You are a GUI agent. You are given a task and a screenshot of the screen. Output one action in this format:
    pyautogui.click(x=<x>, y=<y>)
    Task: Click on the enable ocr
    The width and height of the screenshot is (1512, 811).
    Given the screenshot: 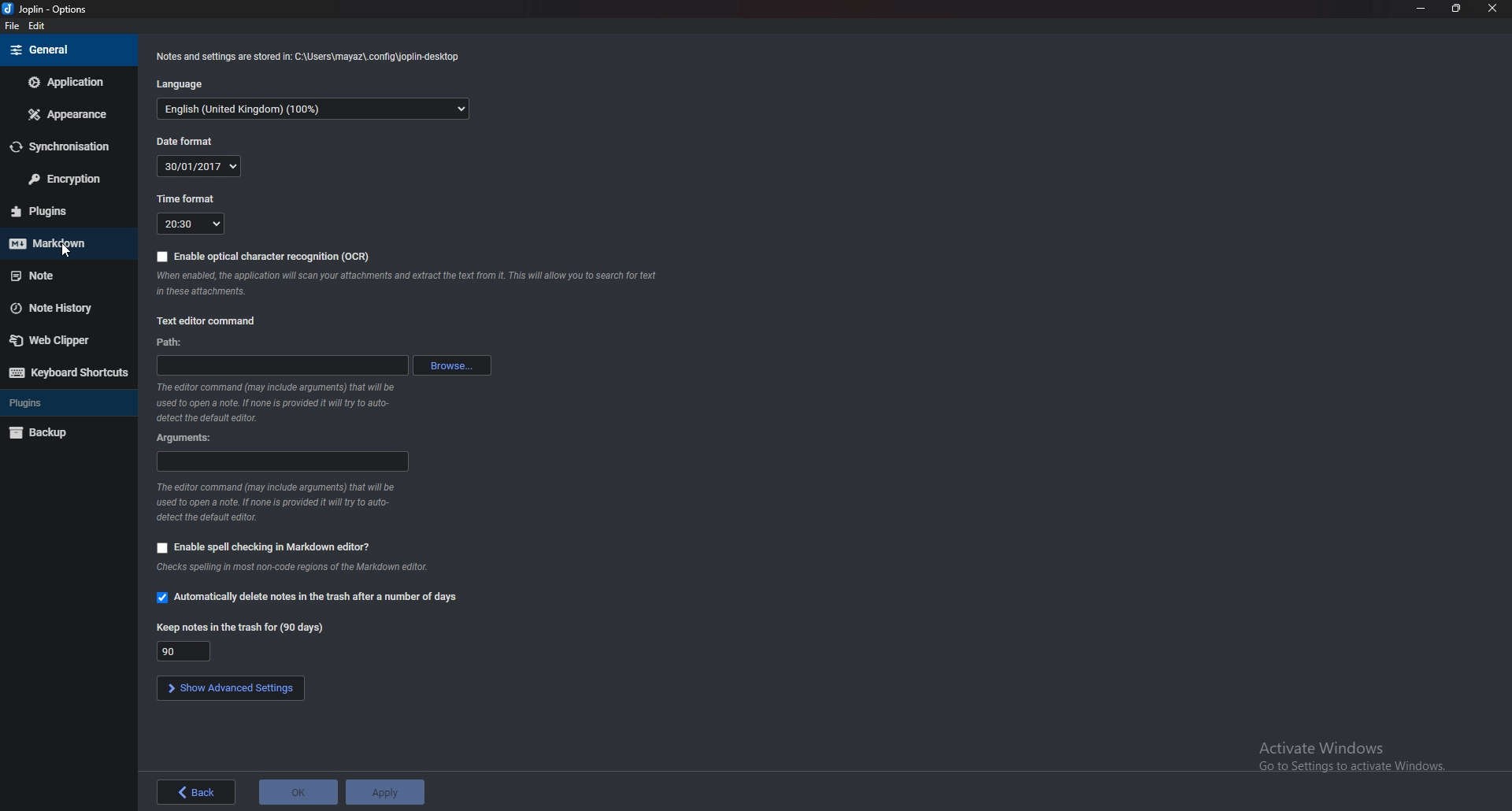 What is the action you would take?
    pyautogui.click(x=265, y=257)
    